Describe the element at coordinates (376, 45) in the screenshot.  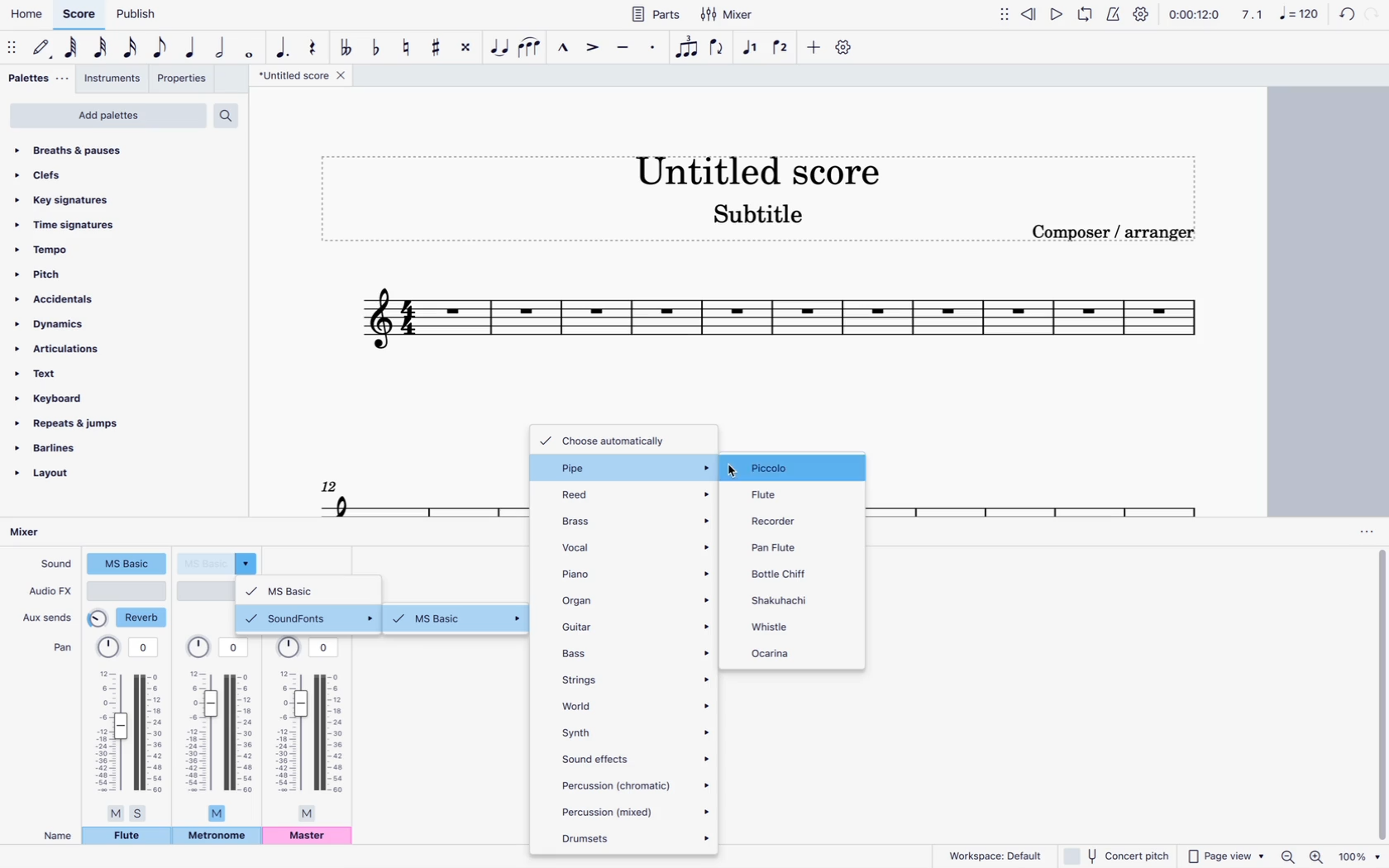
I see `toggle flat` at that location.